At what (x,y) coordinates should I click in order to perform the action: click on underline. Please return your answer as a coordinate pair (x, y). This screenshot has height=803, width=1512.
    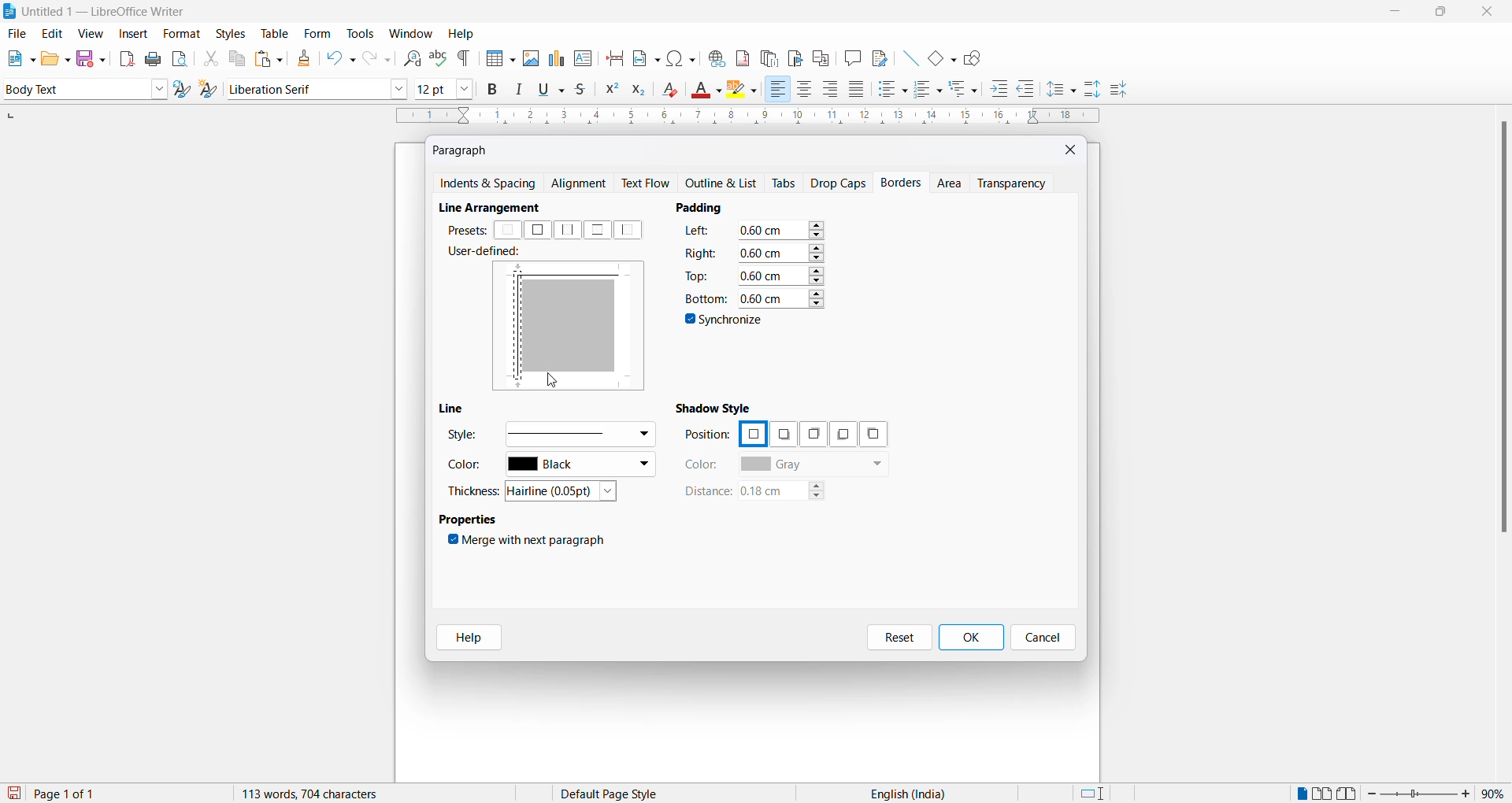
    Looking at the image, I should click on (554, 89).